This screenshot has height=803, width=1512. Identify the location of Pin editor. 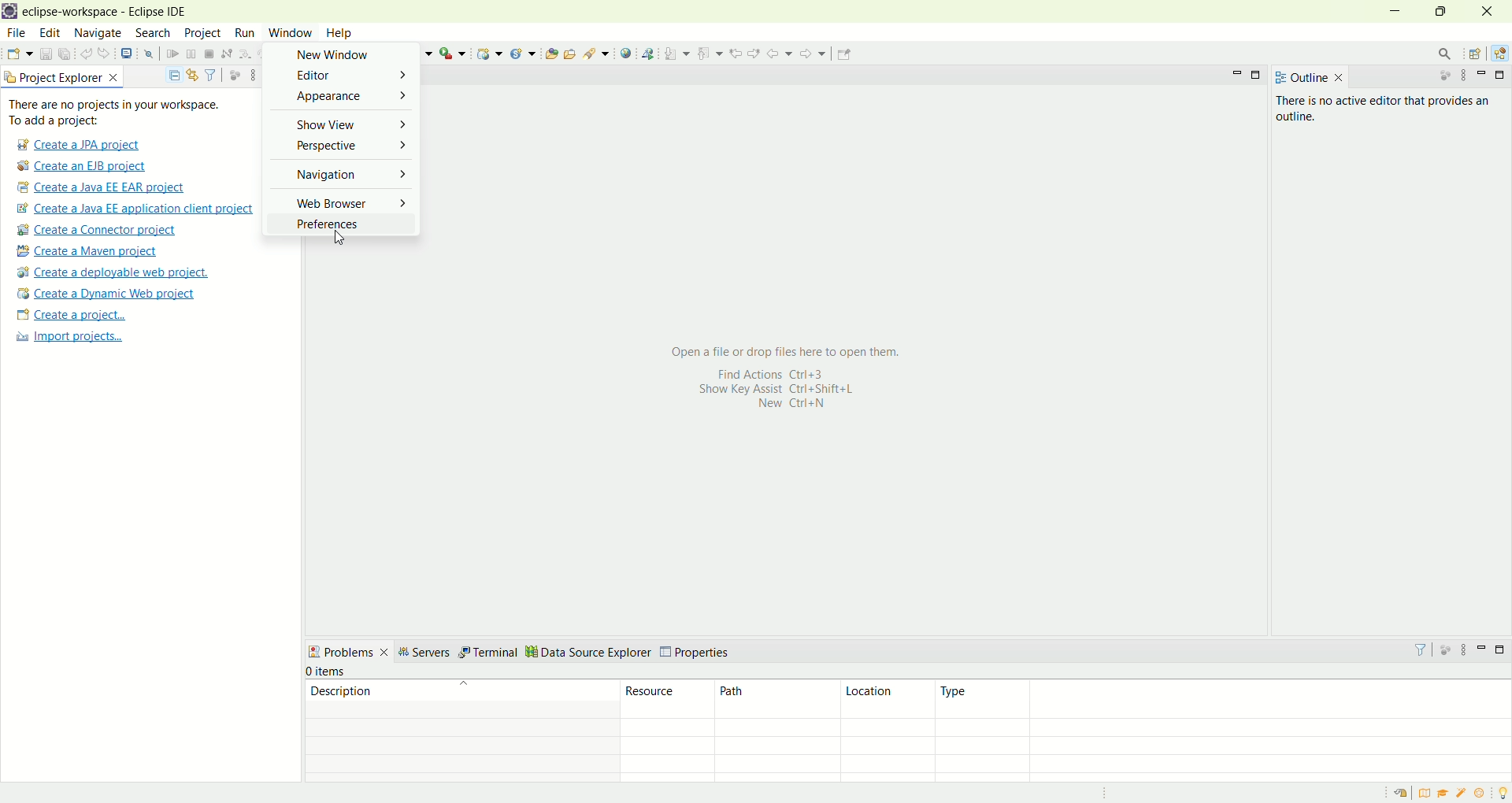
(849, 51).